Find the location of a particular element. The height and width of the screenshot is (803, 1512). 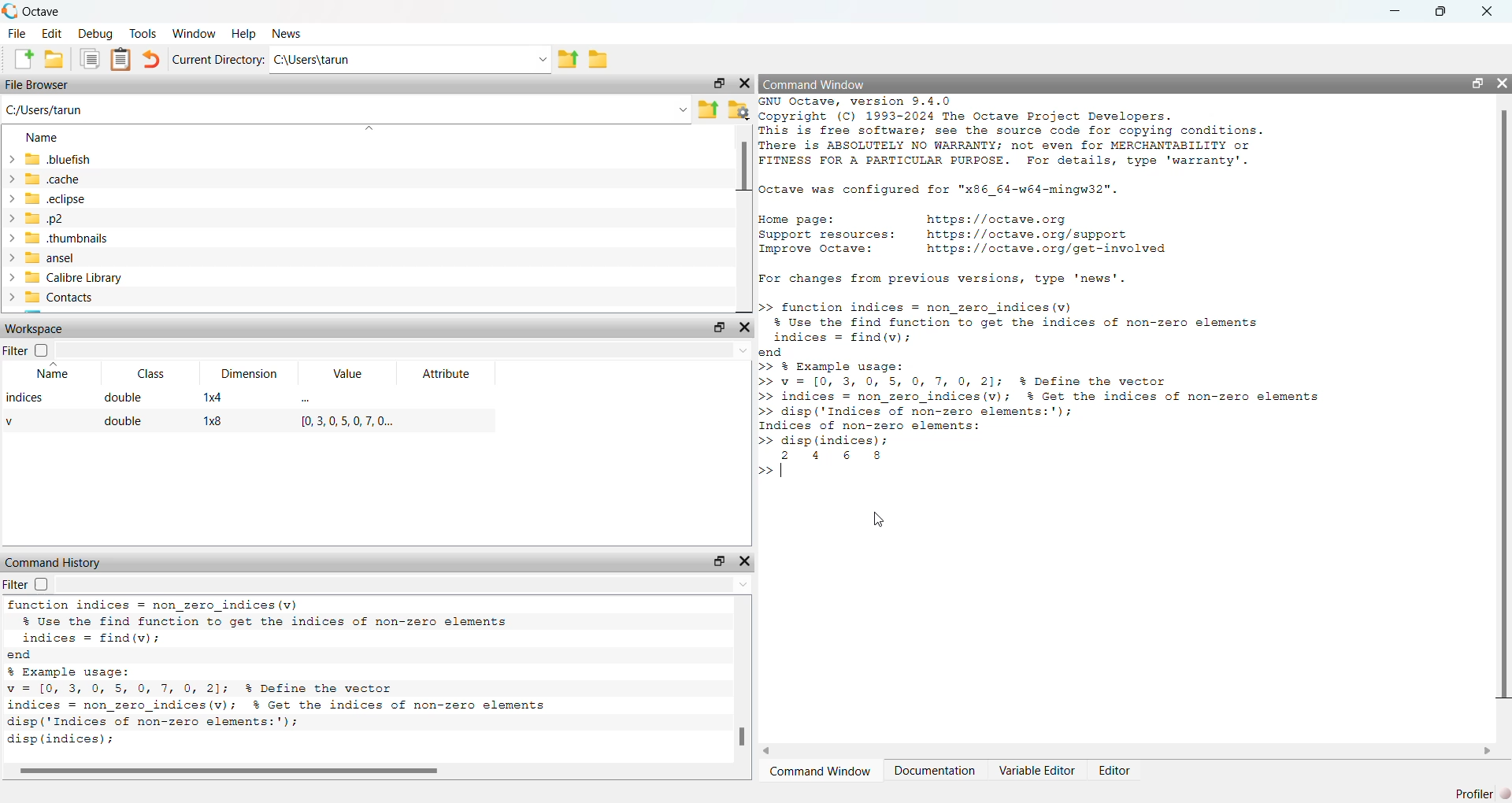

close is located at coordinates (1503, 81).